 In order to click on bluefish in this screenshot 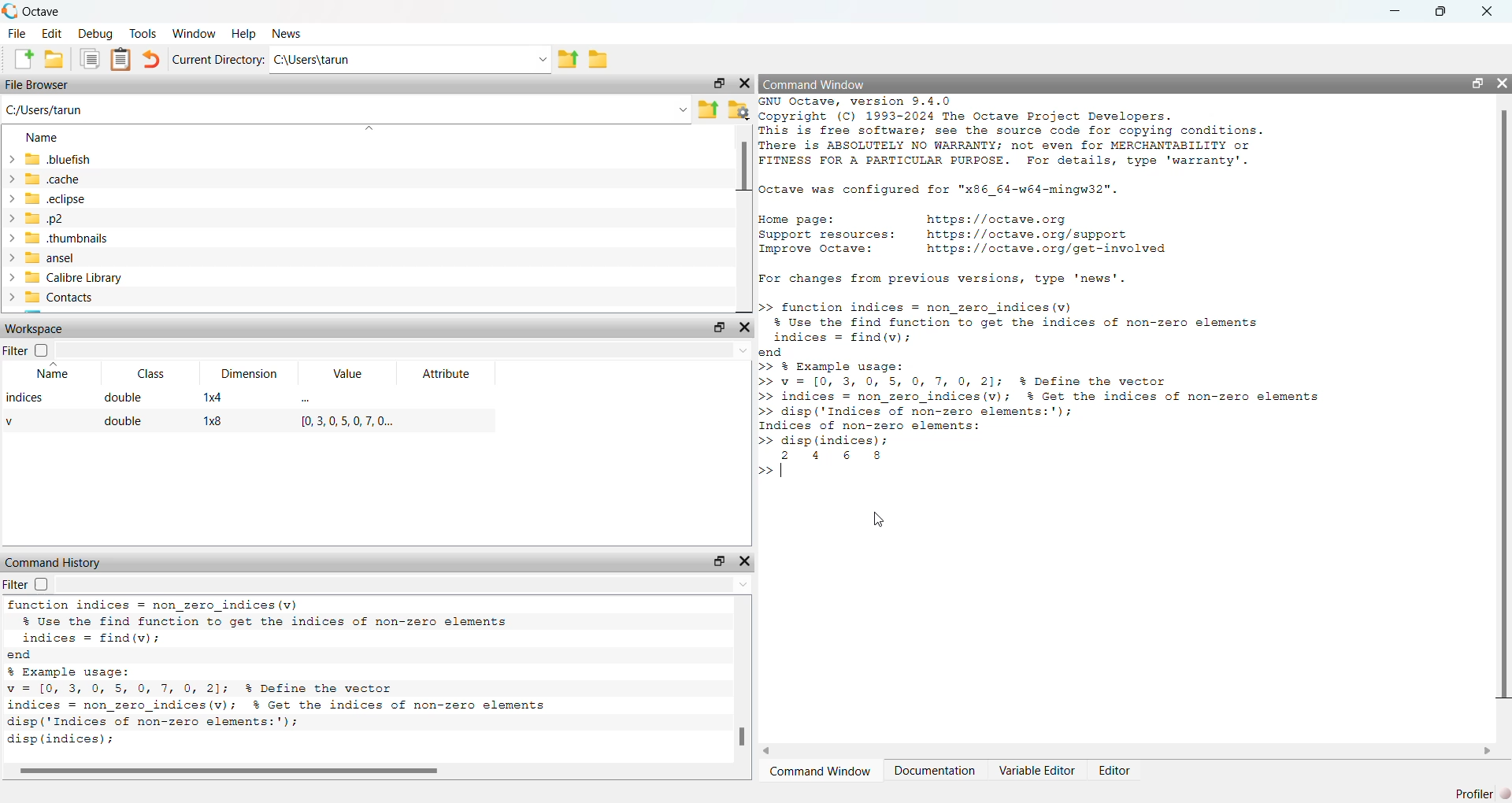, I will do `click(50, 159)`.